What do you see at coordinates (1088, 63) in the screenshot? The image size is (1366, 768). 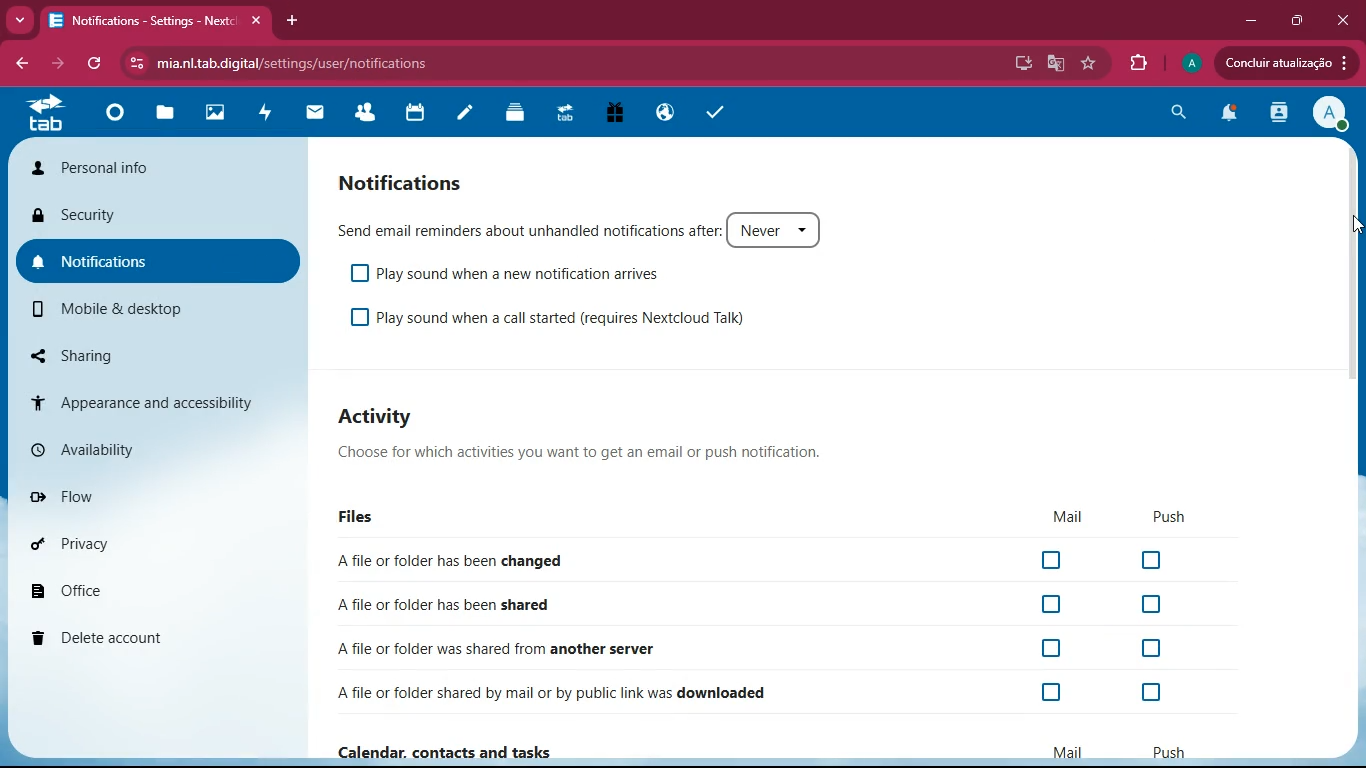 I see `favourite` at bounding box center [1088, 63].